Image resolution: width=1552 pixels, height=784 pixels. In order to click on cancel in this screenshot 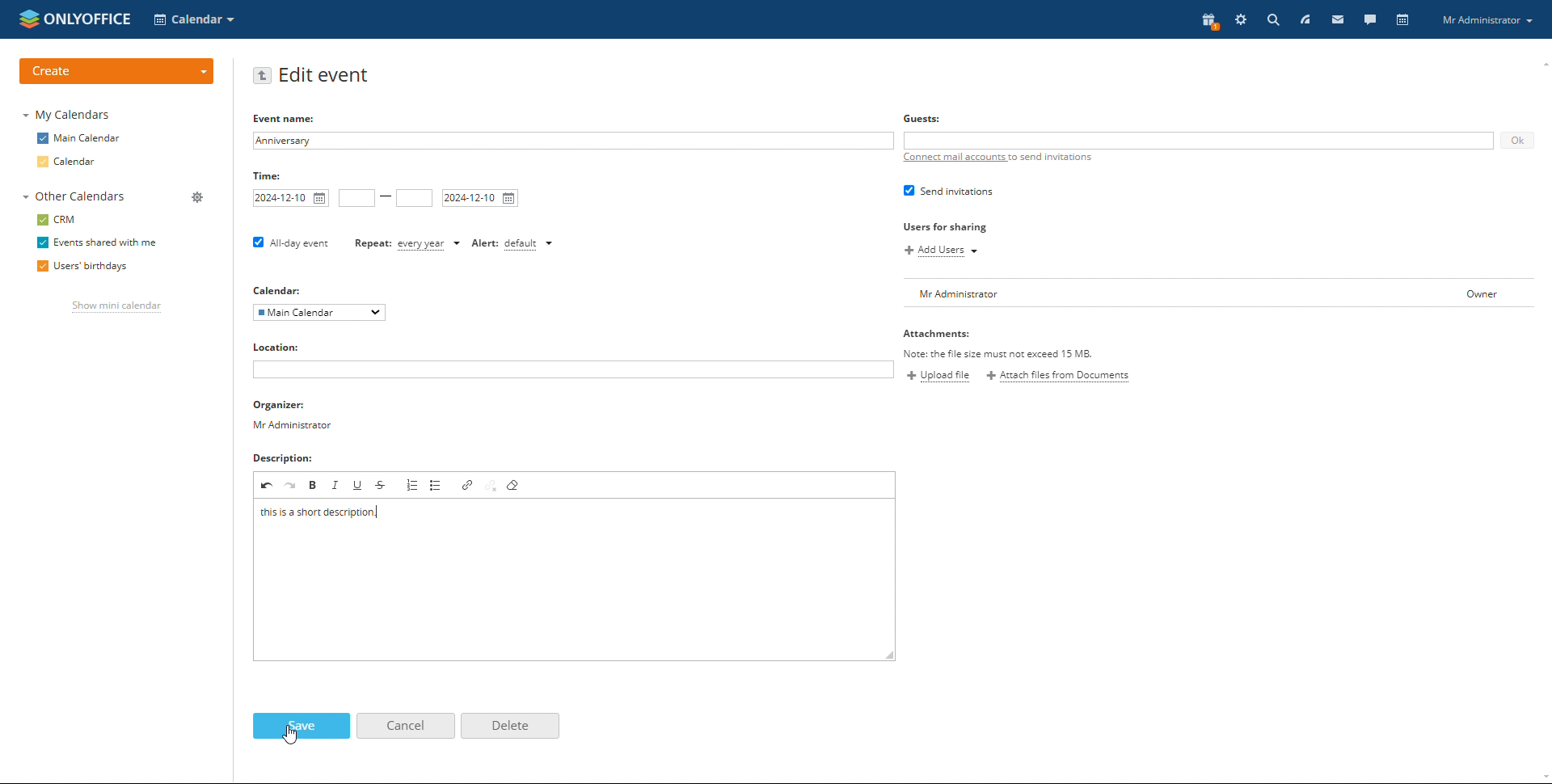, I will do `click(406, 726)`.